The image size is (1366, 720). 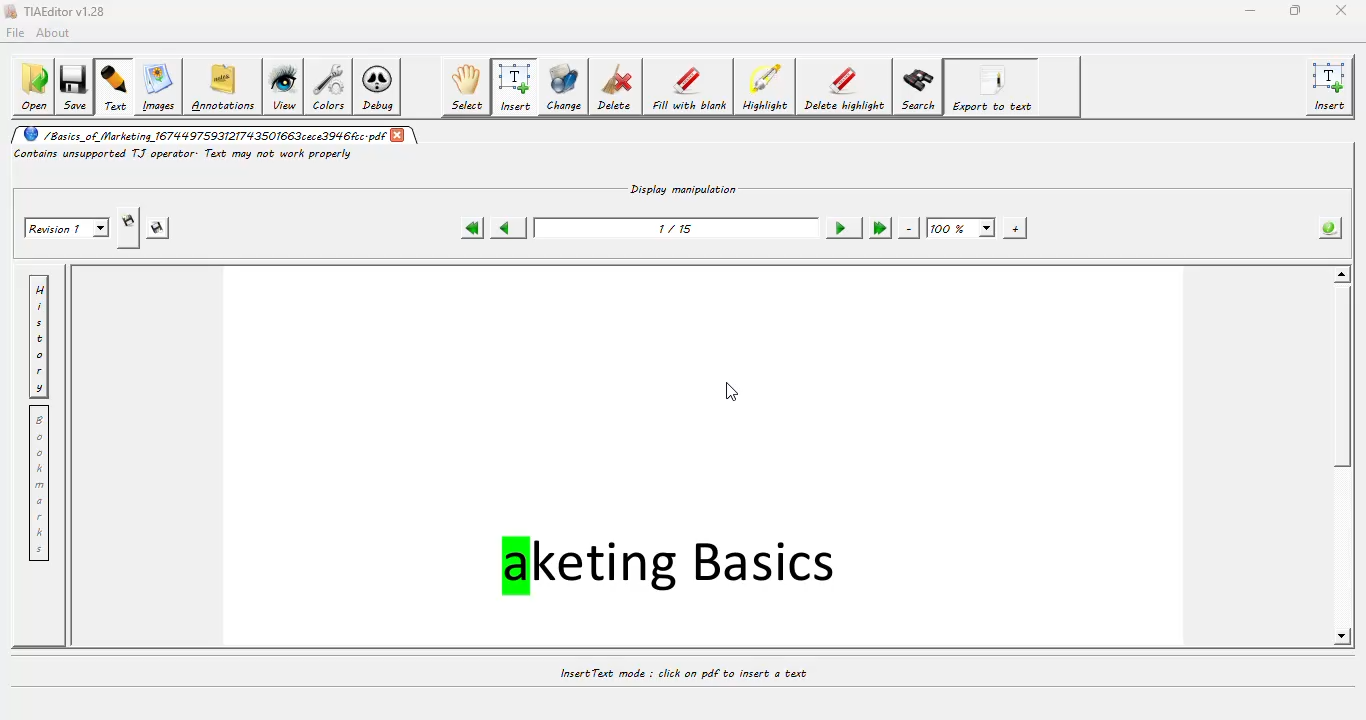 What do you see at coordinates (381, 89) in the screenshot?
I see `debug` at bounding box center [381, 89].